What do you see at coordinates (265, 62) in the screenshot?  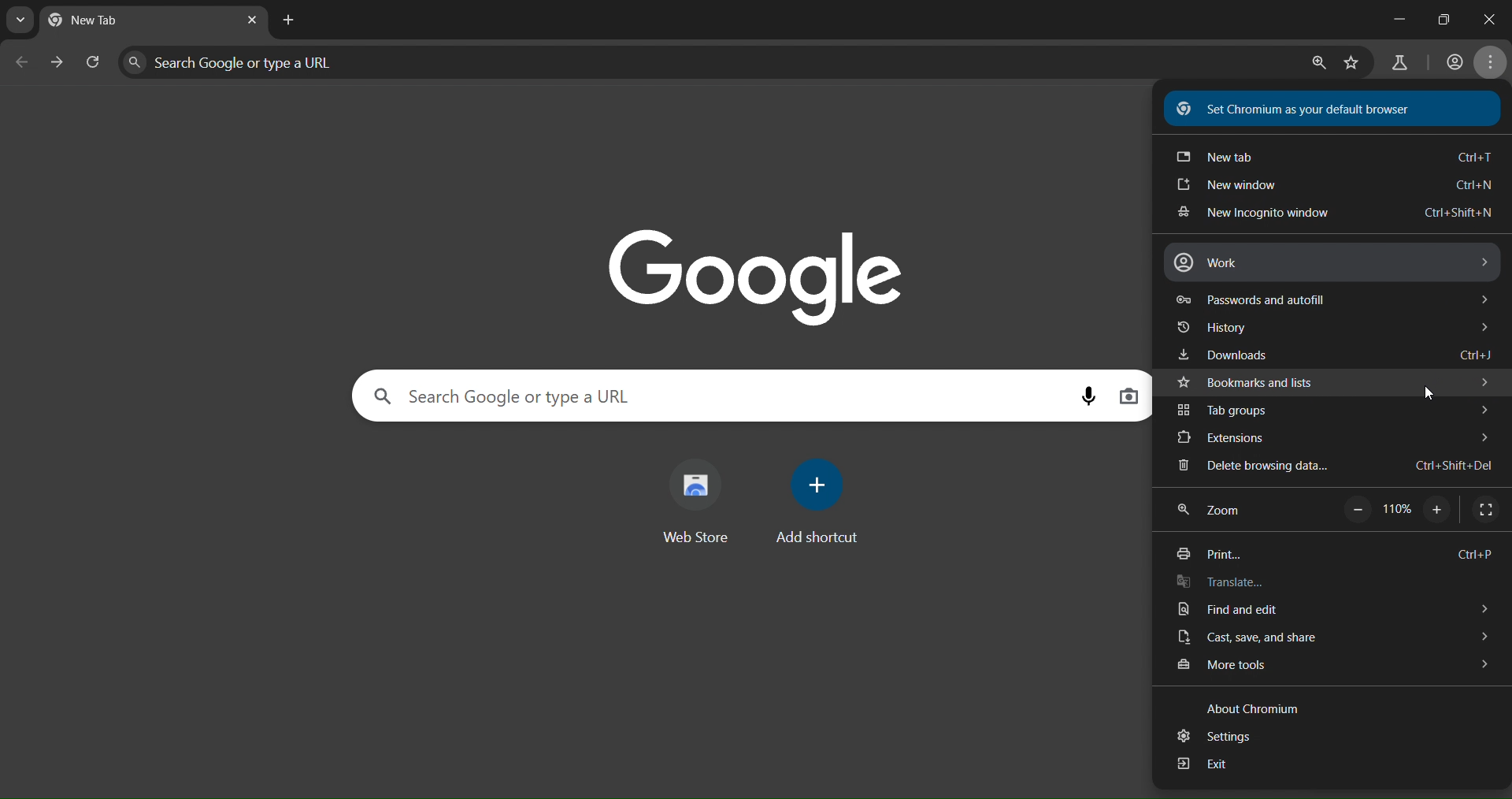 I see `search panel` at bounding box center [265, 62].